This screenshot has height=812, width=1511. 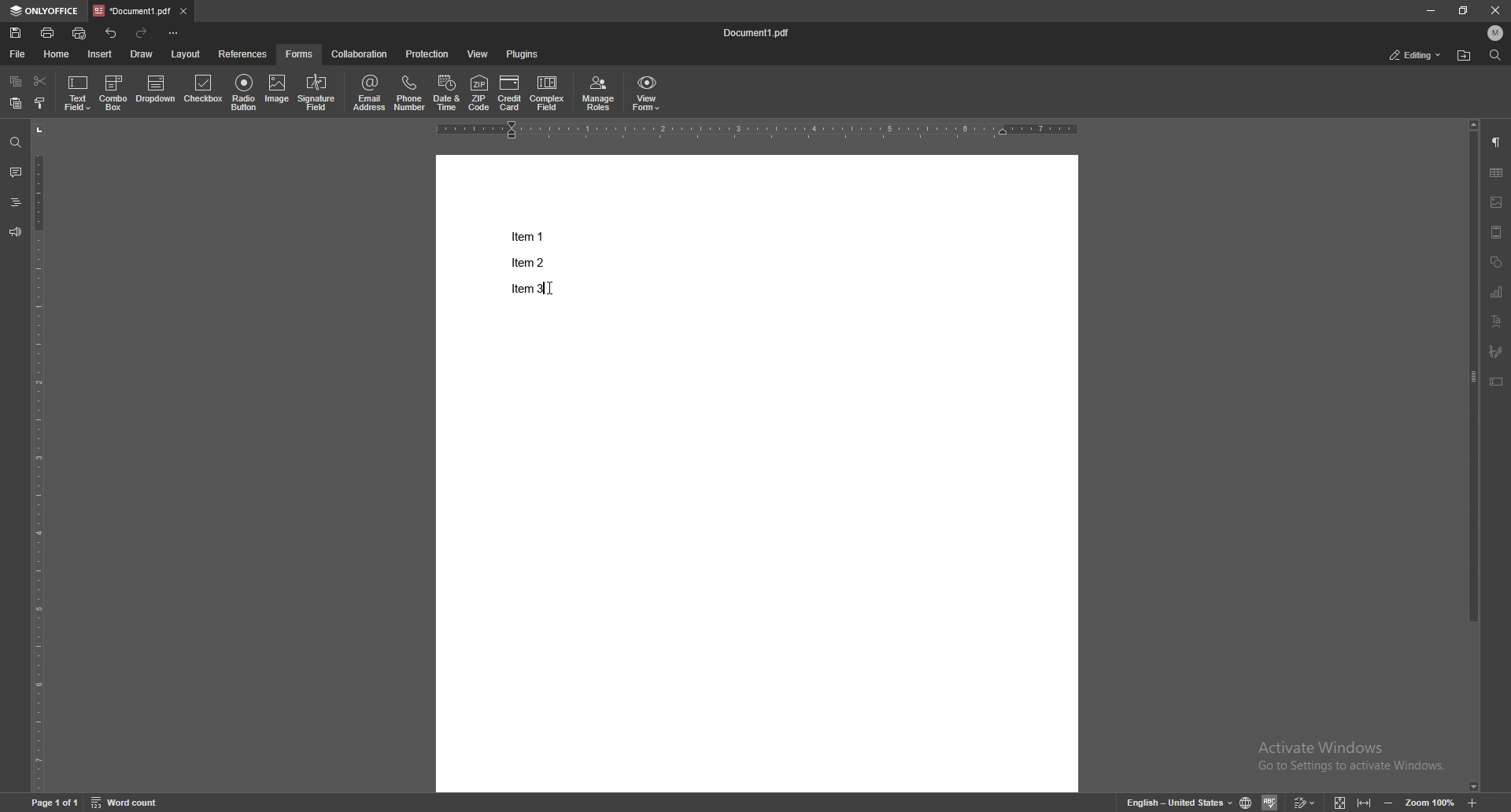 What do you see at coordinates (1390, 800) in the screenshot?
I see `zoom out` at bounding box center [1390, 800].